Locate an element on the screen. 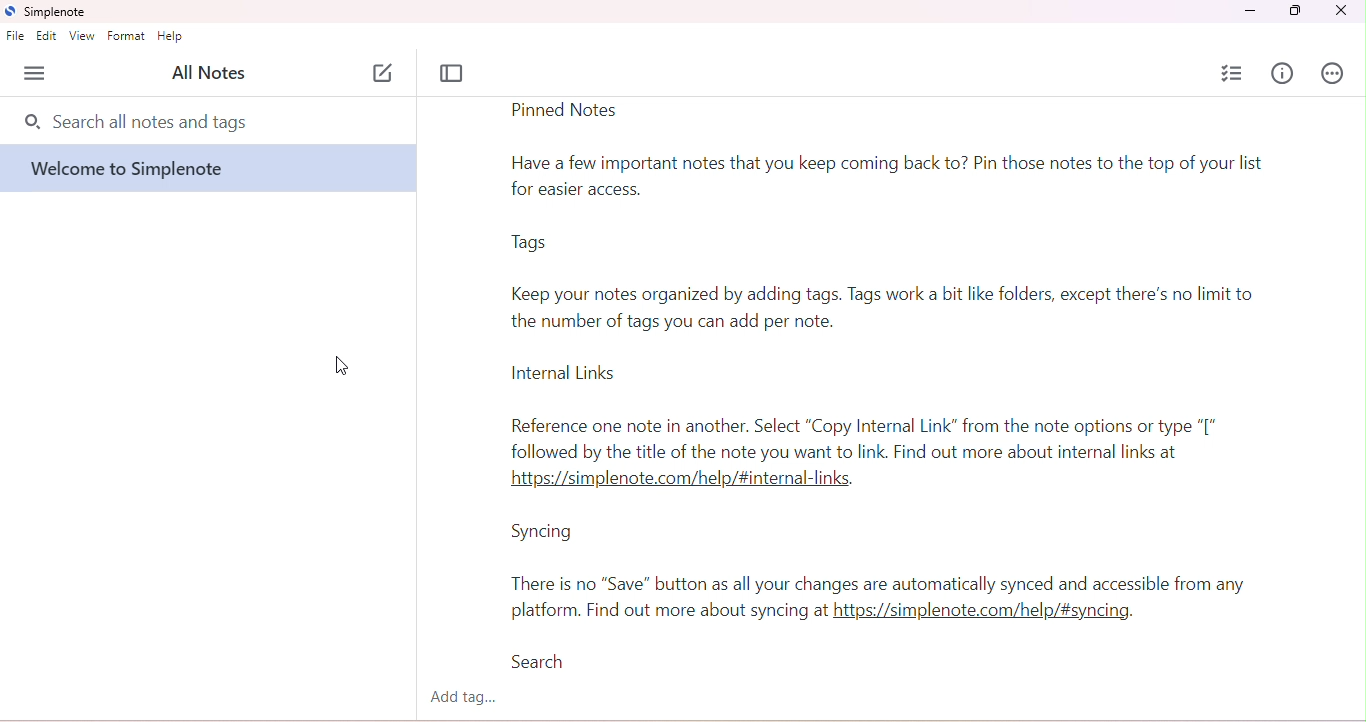 This screenshot has width=1366, height=722. actions is located at coordinates (1331, 73).